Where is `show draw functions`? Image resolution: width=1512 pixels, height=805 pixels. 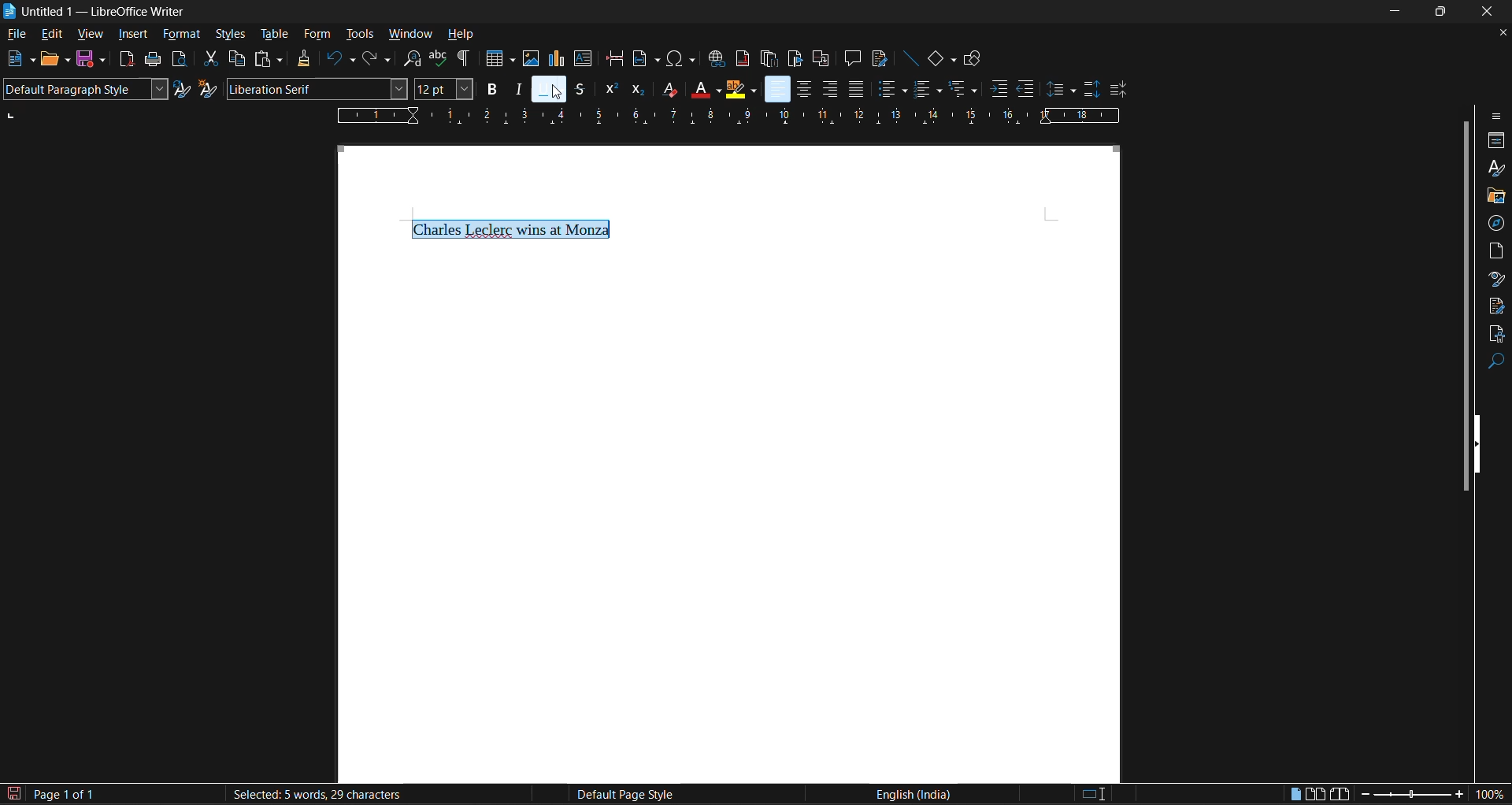 show draw functions is located at coordinates (975, 60).